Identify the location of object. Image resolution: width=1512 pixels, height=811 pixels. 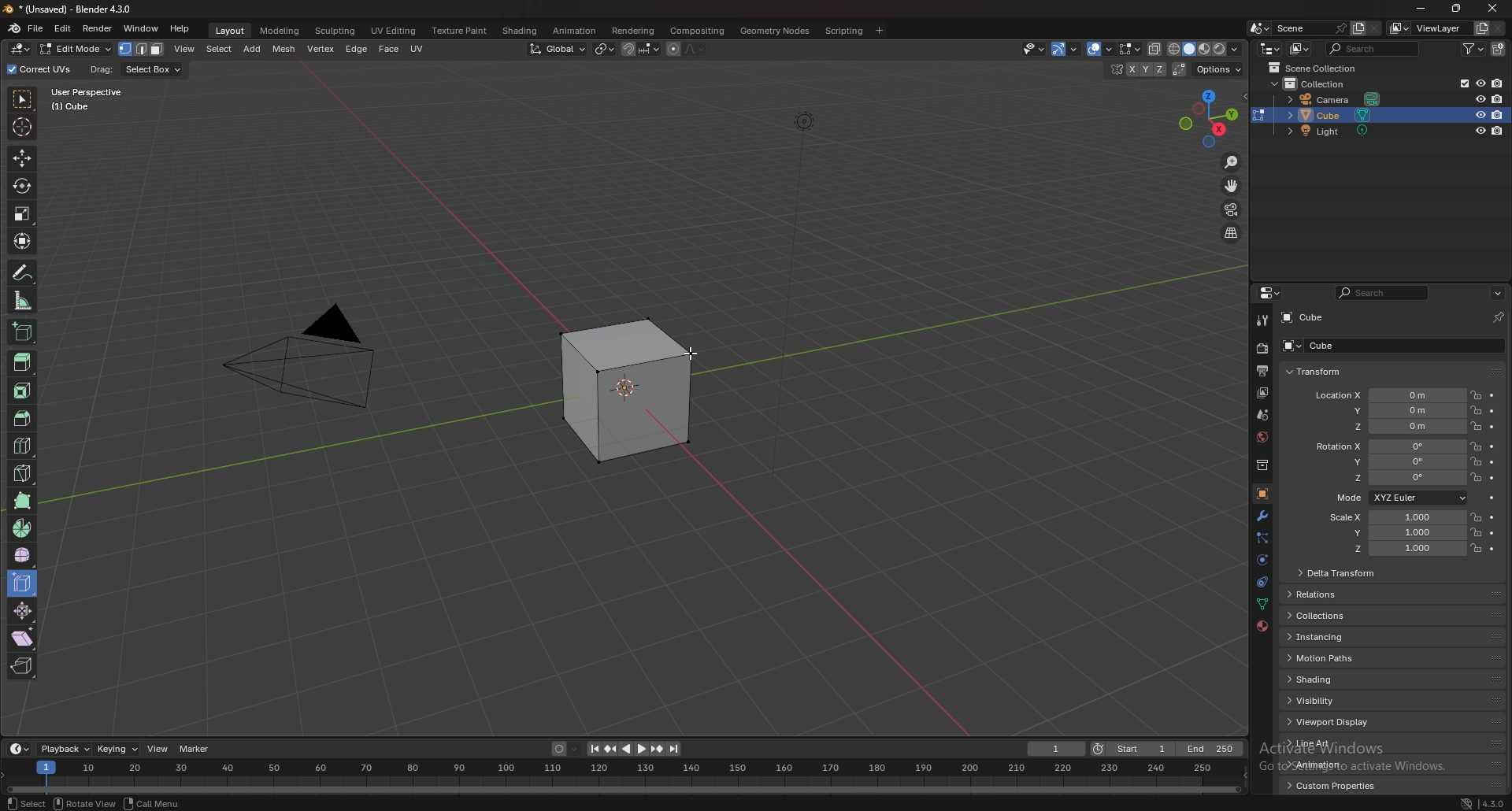
(1262, 494).